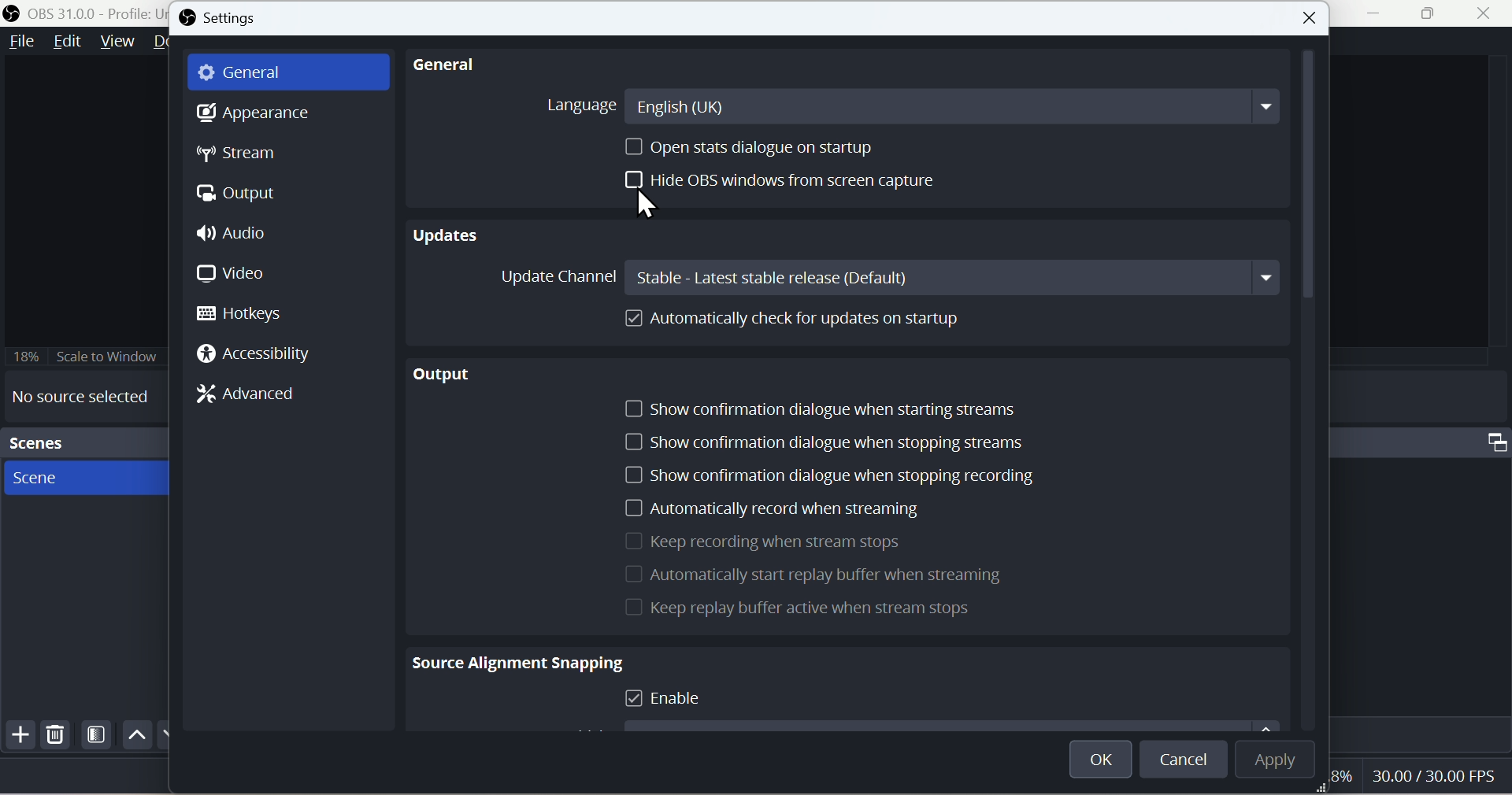 The image size is (1512, 795). Describe the element at coordinates (251, 398) in the screenshot. I see `Advanced` at that location.